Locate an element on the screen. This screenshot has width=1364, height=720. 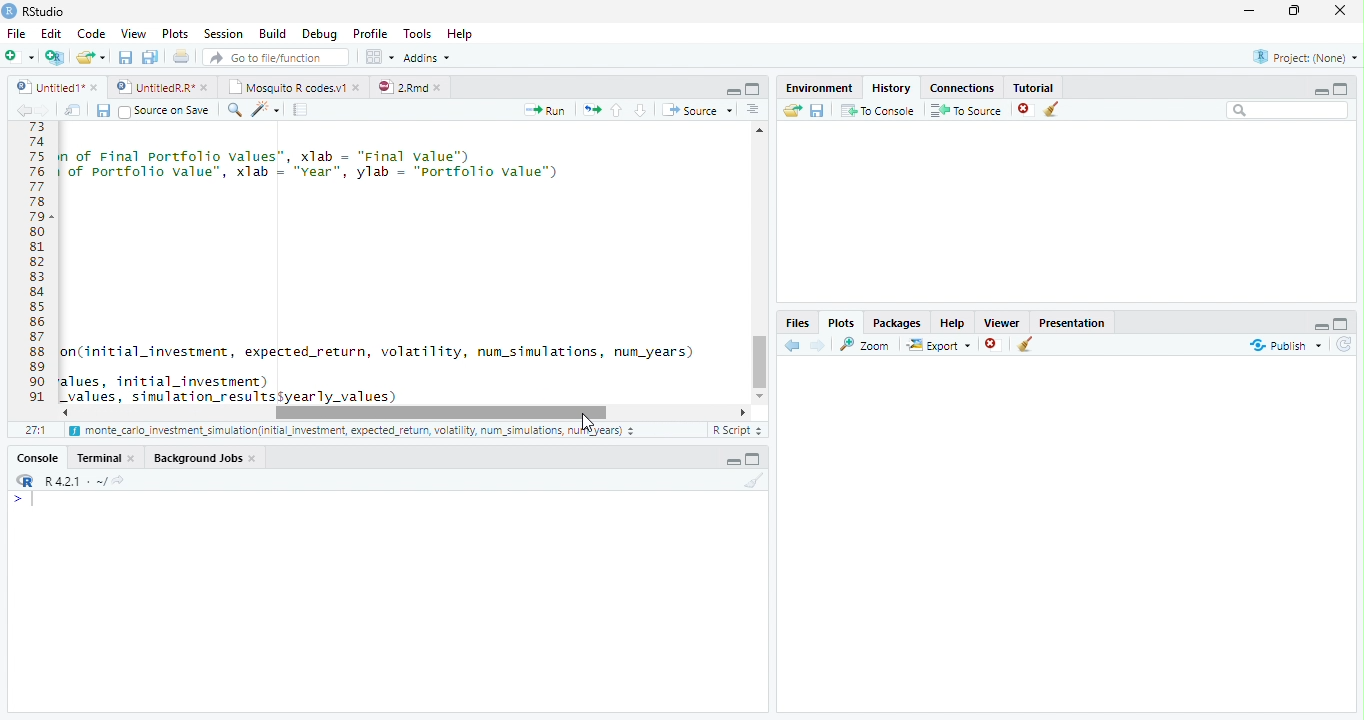
Open new file is located at coordinates (19, 56).